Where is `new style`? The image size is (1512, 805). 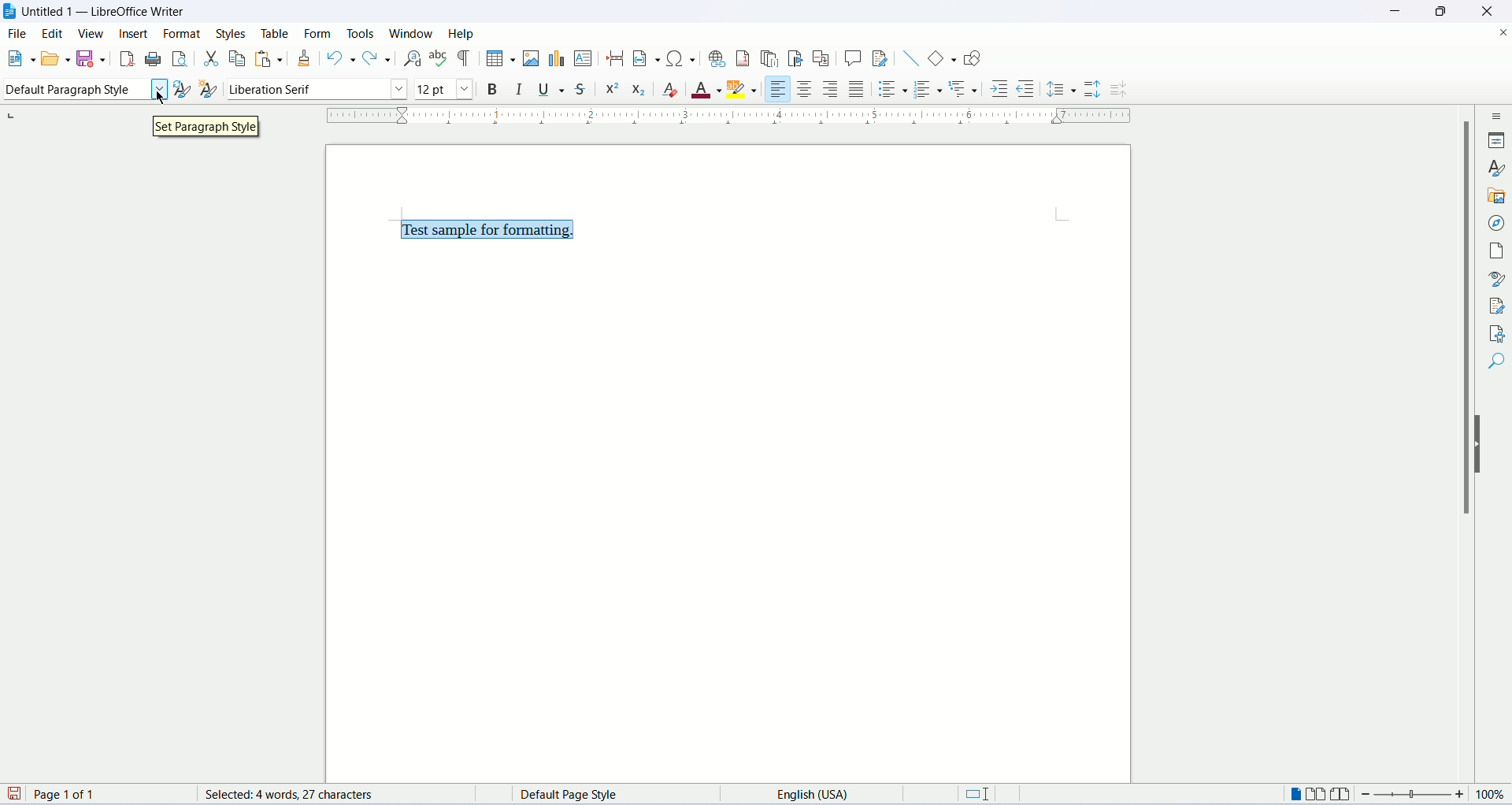
new style is located at coordinates (209, 90).